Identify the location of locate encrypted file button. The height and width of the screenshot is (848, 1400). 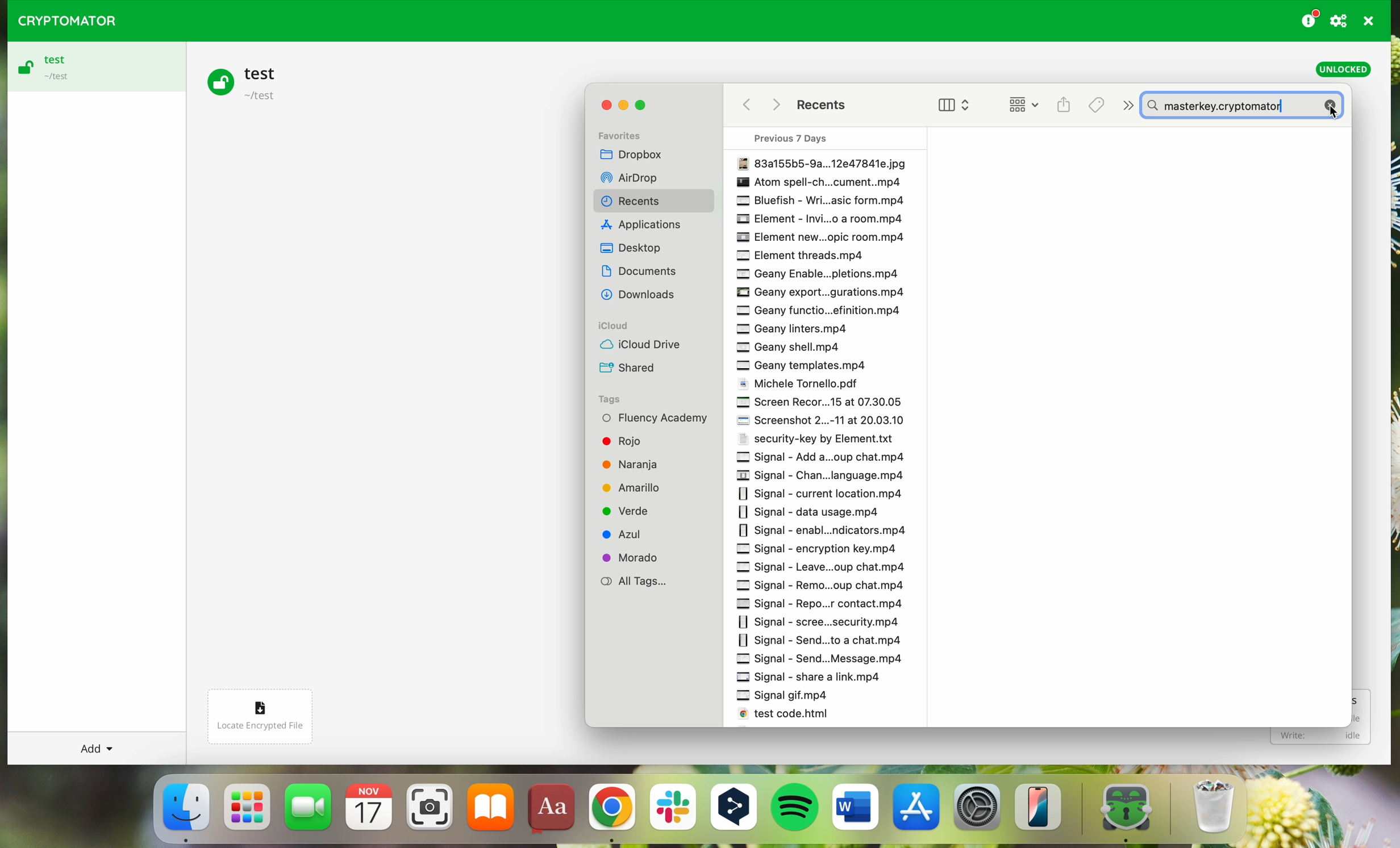
(270, 711).